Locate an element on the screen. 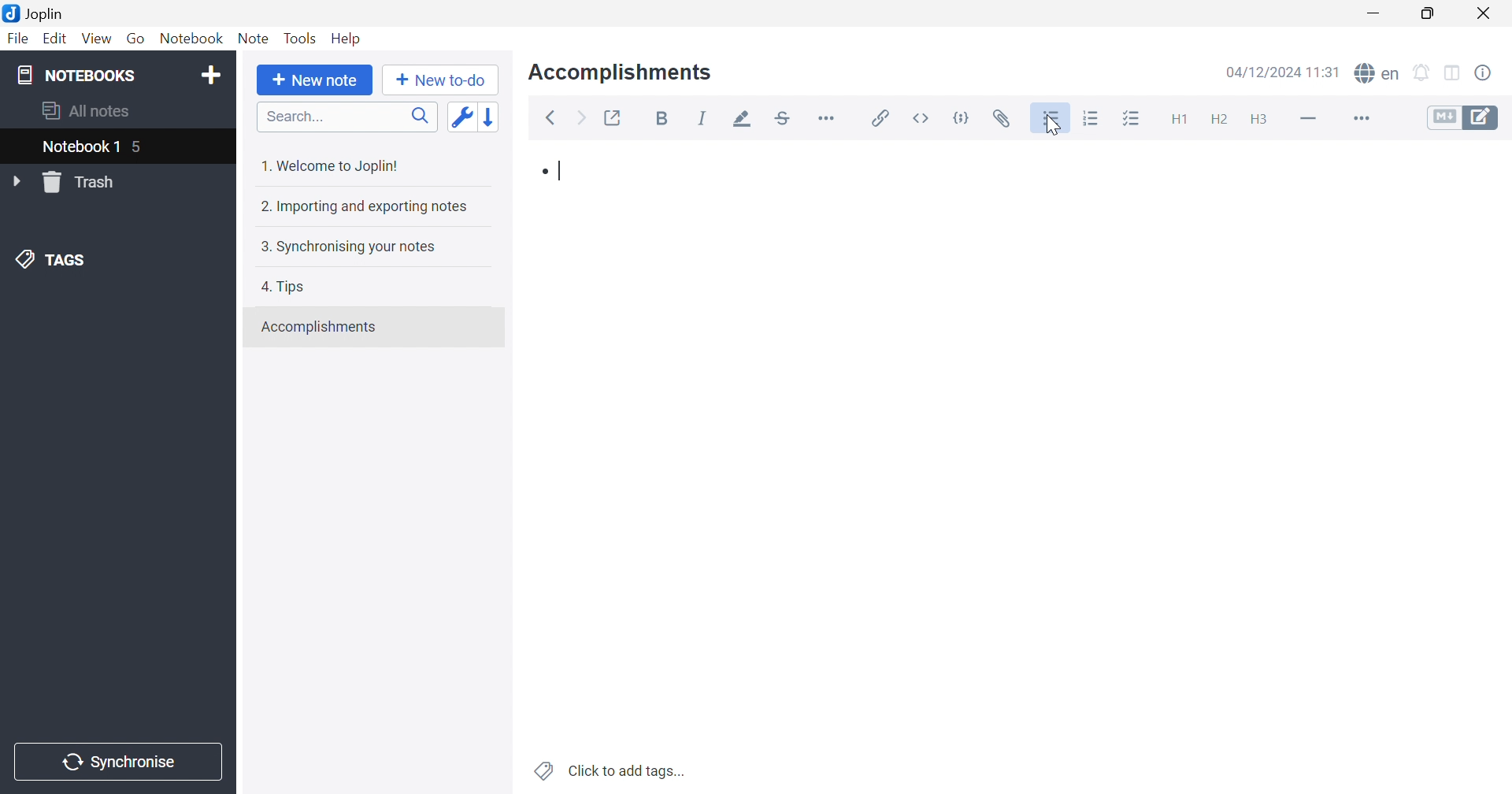  Drop Down is located at coordinates (17, 180).